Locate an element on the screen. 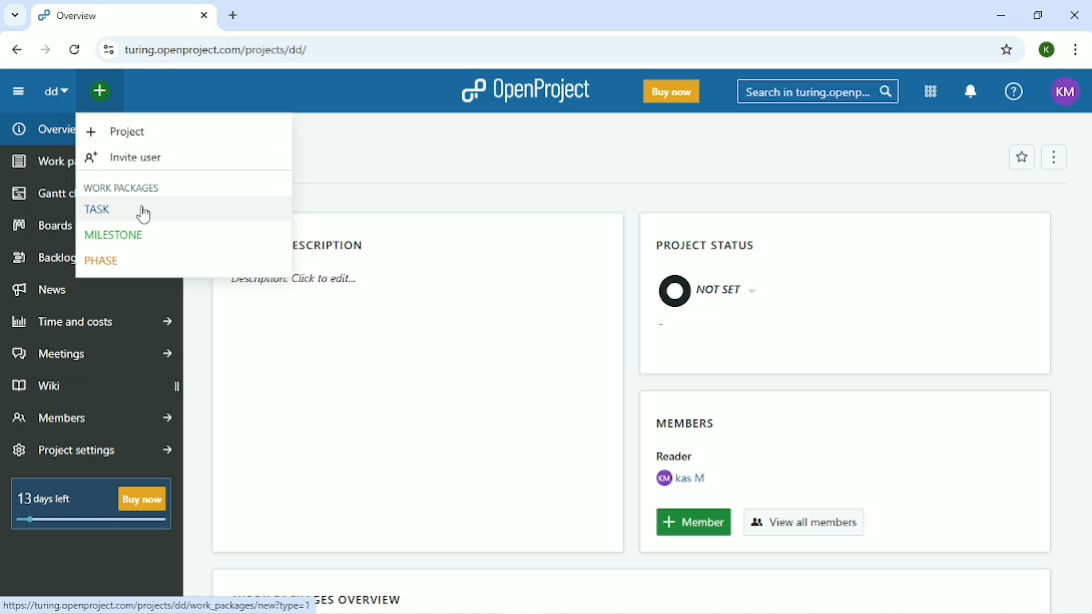 Image resolution: width=1092 pixels, height=614 pixels. News is located at coordinates (44, 291).